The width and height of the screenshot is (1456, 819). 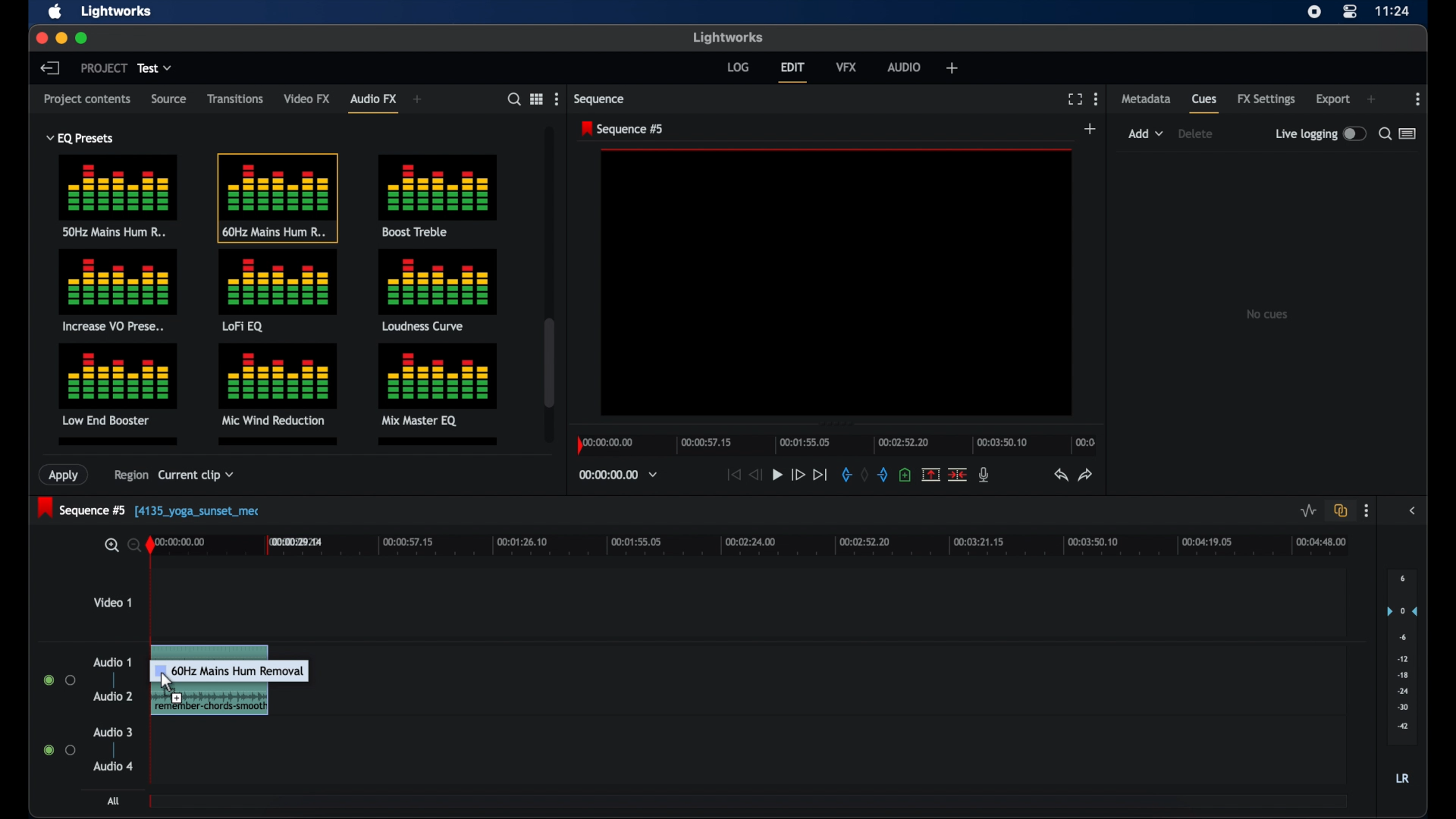 What do you see at coordinates (235, 99) in the screenshot?
I see `transitions` at bounding box center [235, 99].